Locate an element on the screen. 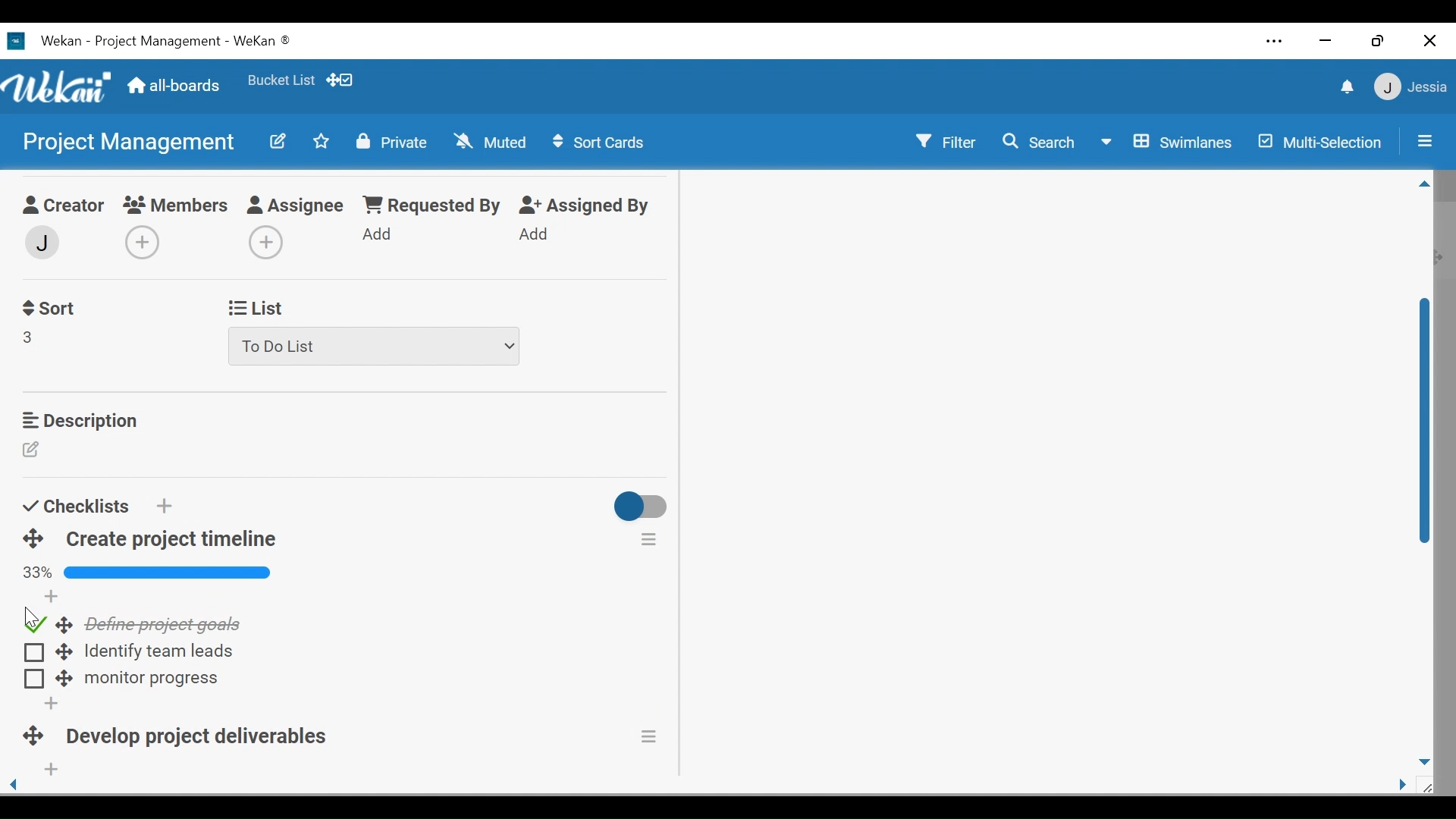  restore is located at coordinates (1378, 42).